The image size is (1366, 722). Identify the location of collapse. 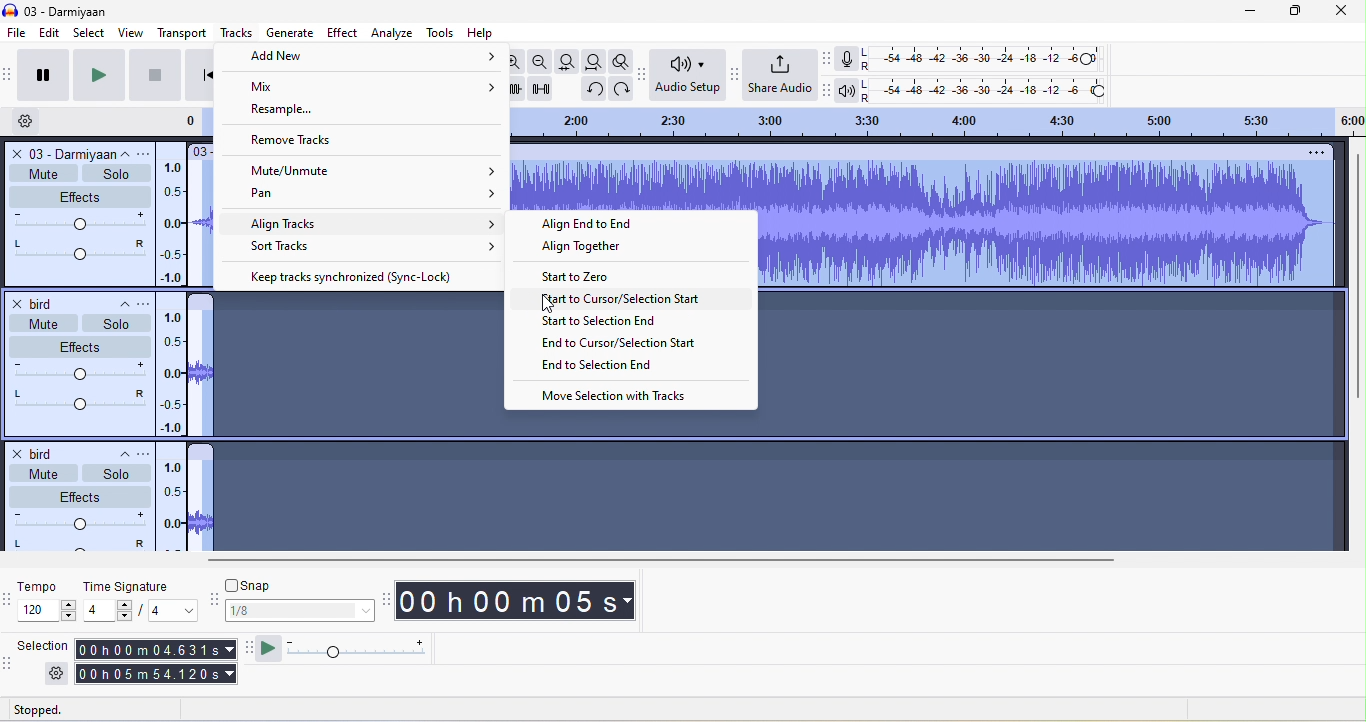
(129, 155).